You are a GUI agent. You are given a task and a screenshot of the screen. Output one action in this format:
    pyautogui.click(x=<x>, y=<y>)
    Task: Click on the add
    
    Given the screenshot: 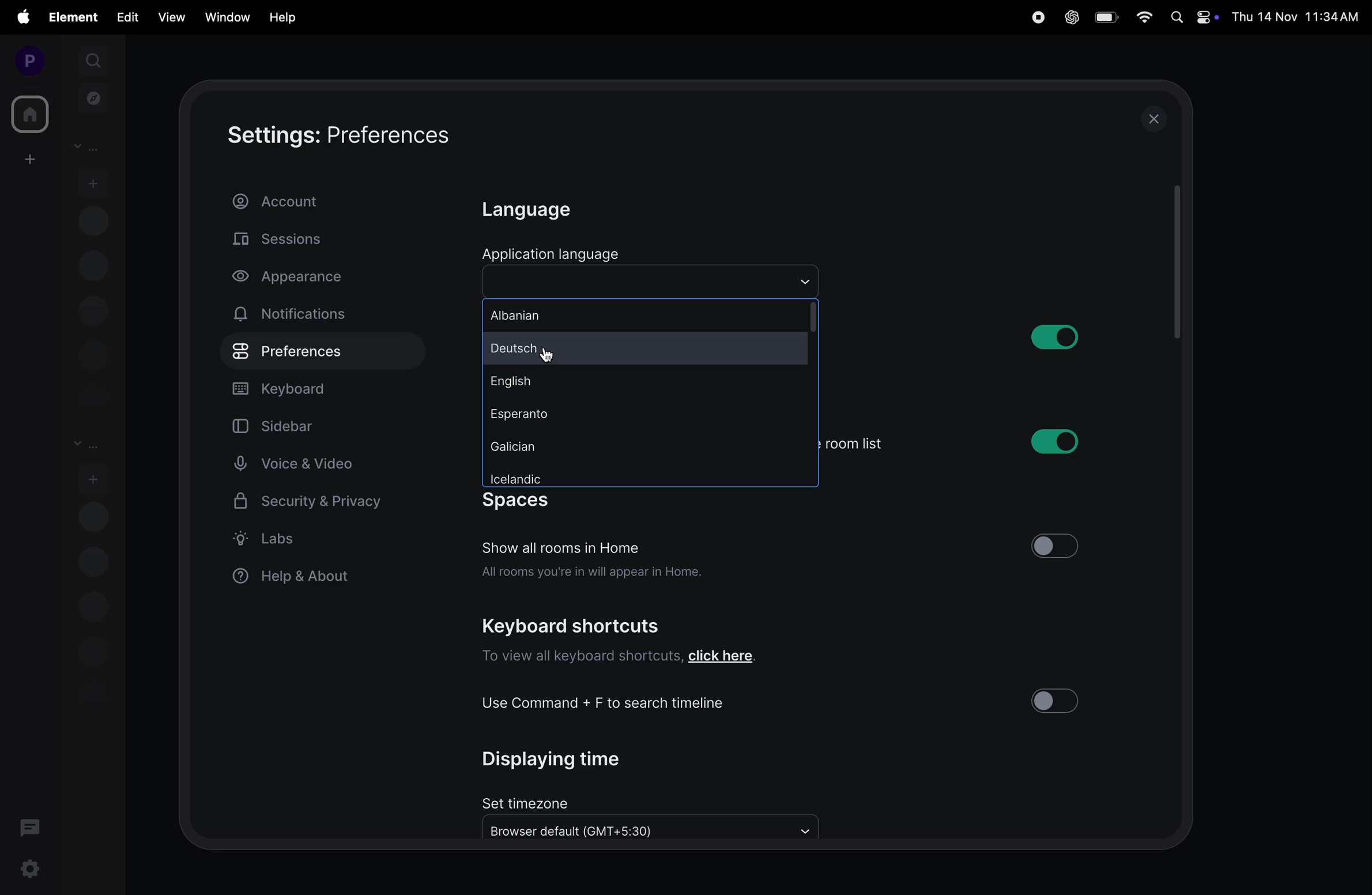 What is the action you would take?
    pyautogui.click(x=94, y=182)
    